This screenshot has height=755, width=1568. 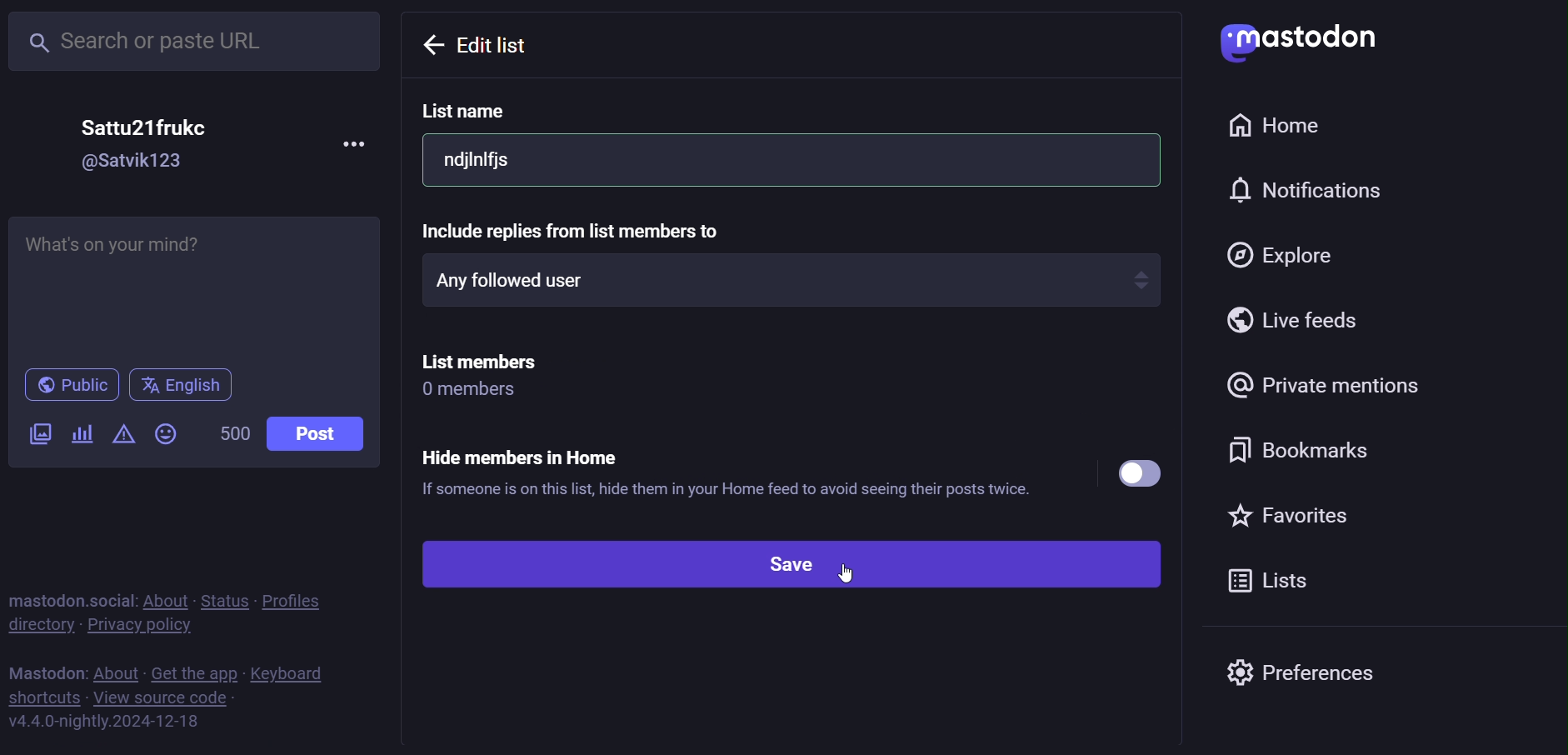 I want to click on Sattu21frukc, so click(x=154, y=126).